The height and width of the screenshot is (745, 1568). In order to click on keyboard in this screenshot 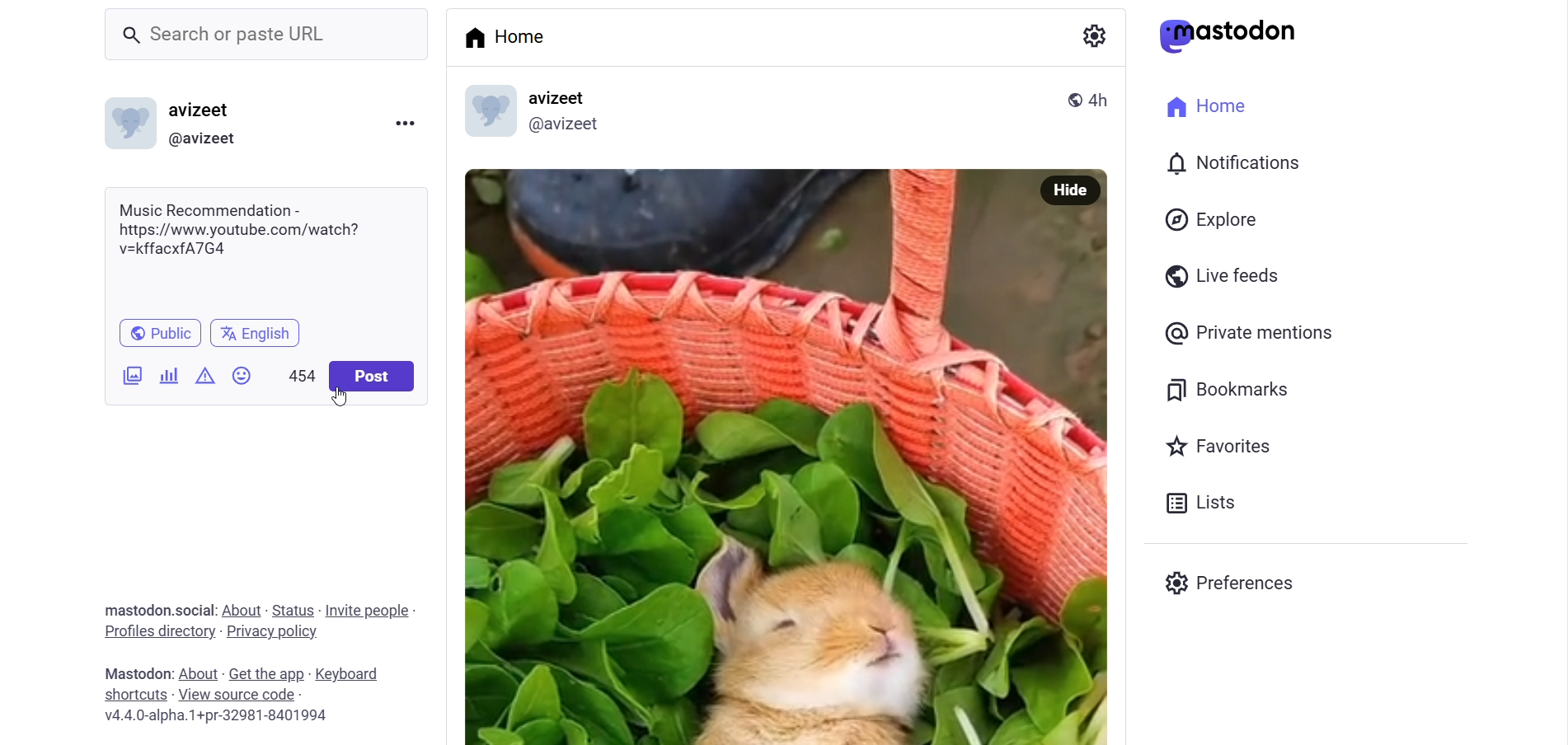, I will do `click(351, 671)`.